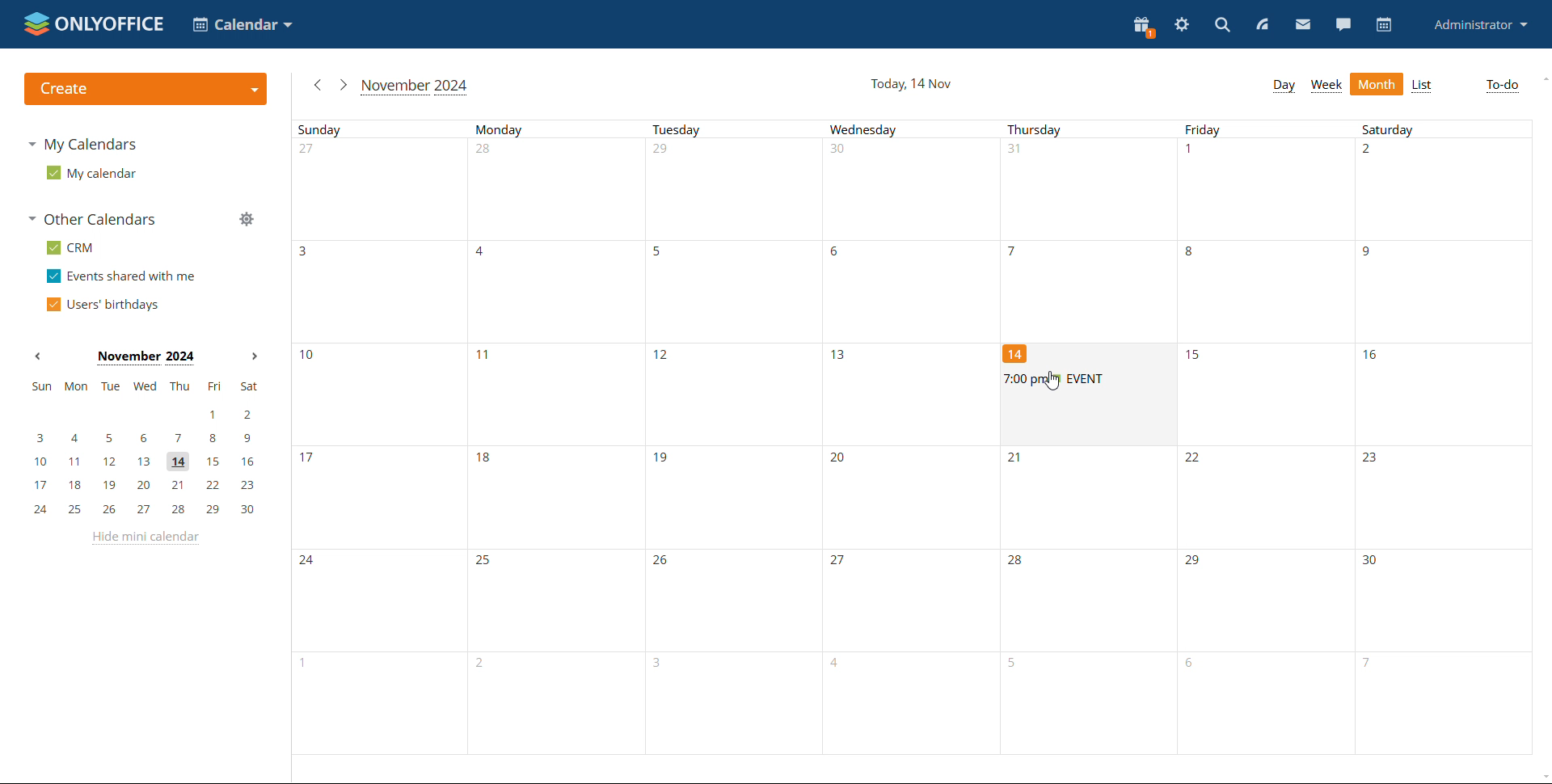  I want to click on previous month, so click(37, 356).